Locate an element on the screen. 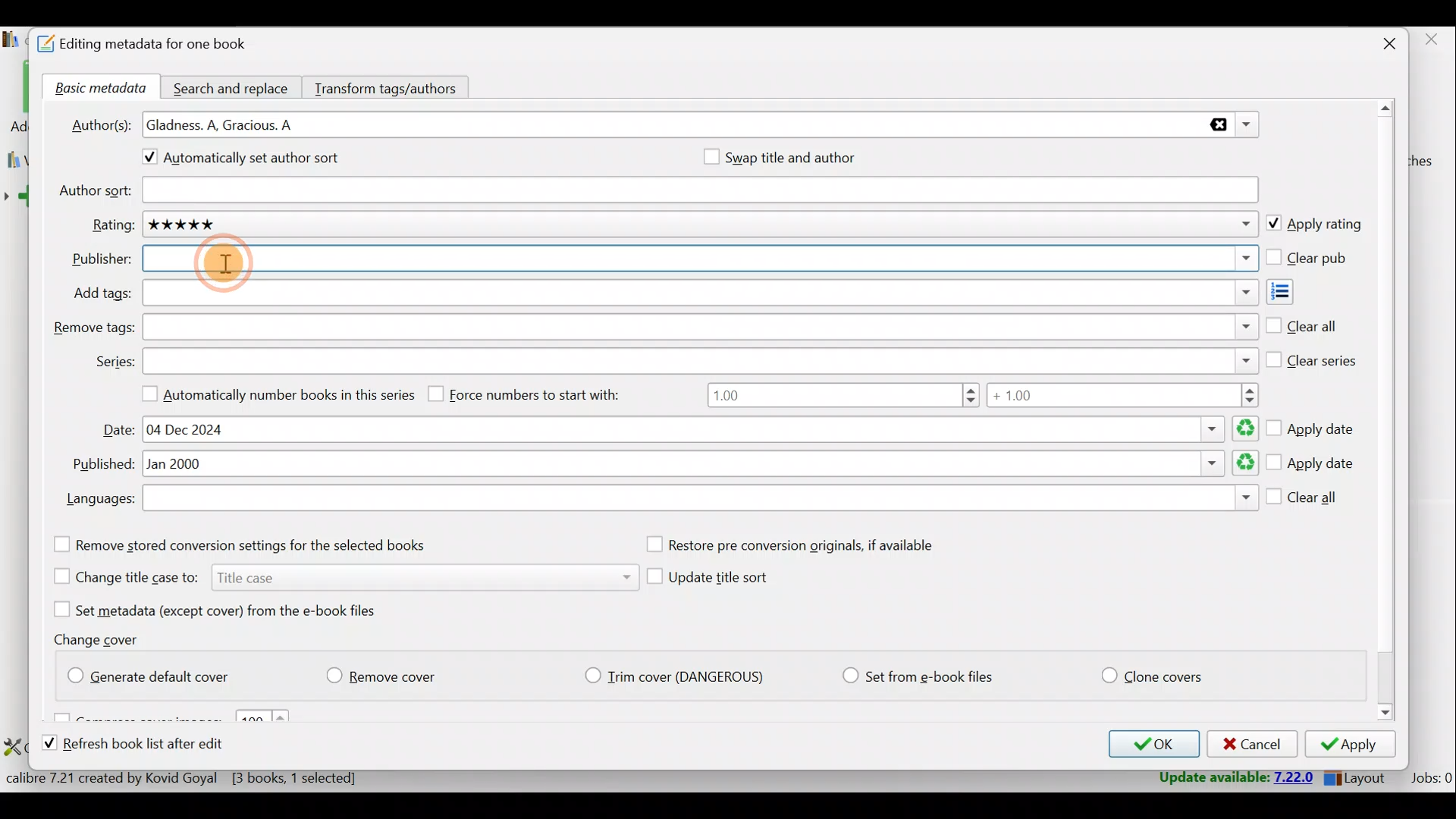 The height and width of the screenshot is (819, 1456). Date is located at coordinates (698, 429).